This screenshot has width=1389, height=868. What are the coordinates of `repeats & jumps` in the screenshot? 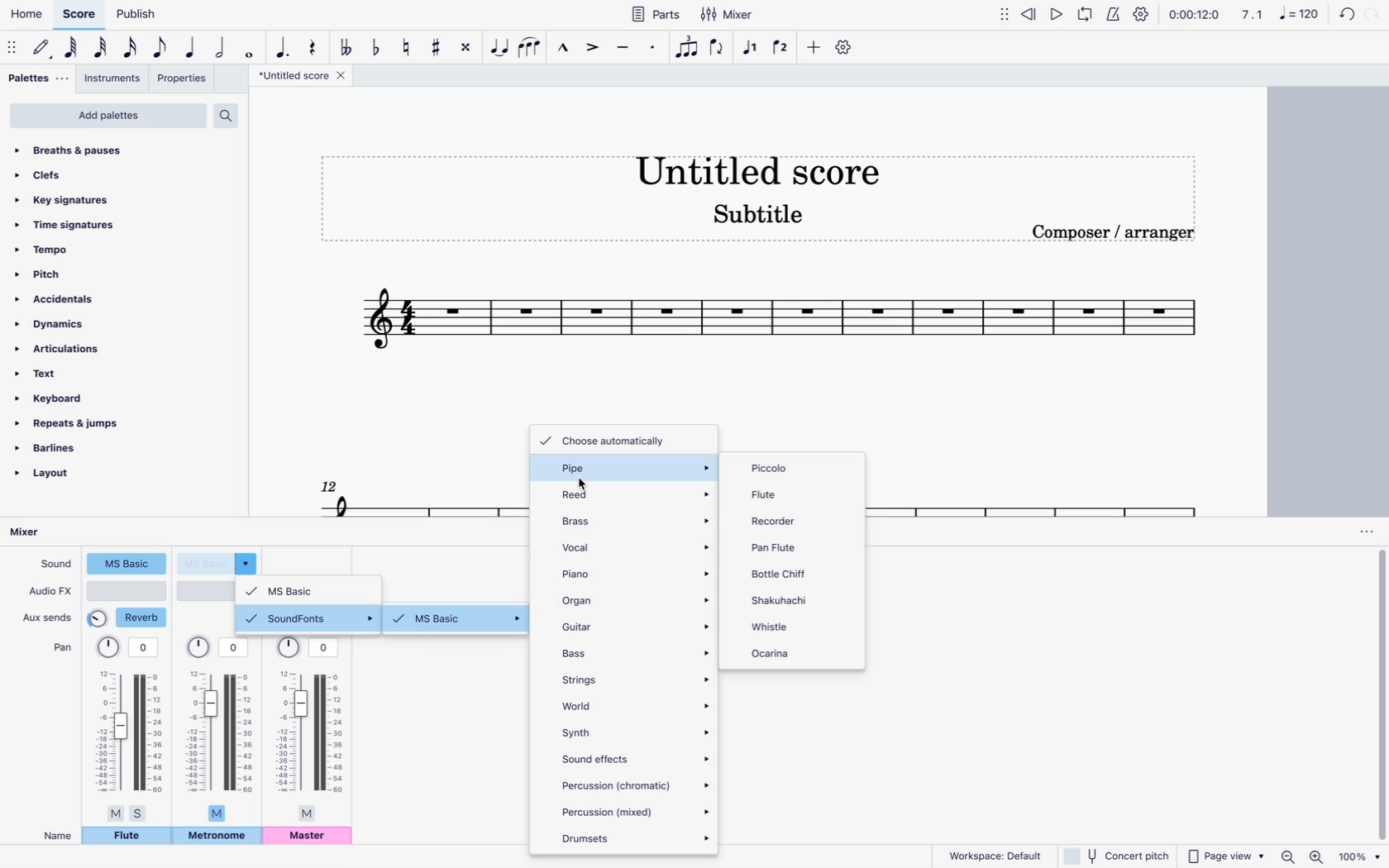 It's located at (83, 423).